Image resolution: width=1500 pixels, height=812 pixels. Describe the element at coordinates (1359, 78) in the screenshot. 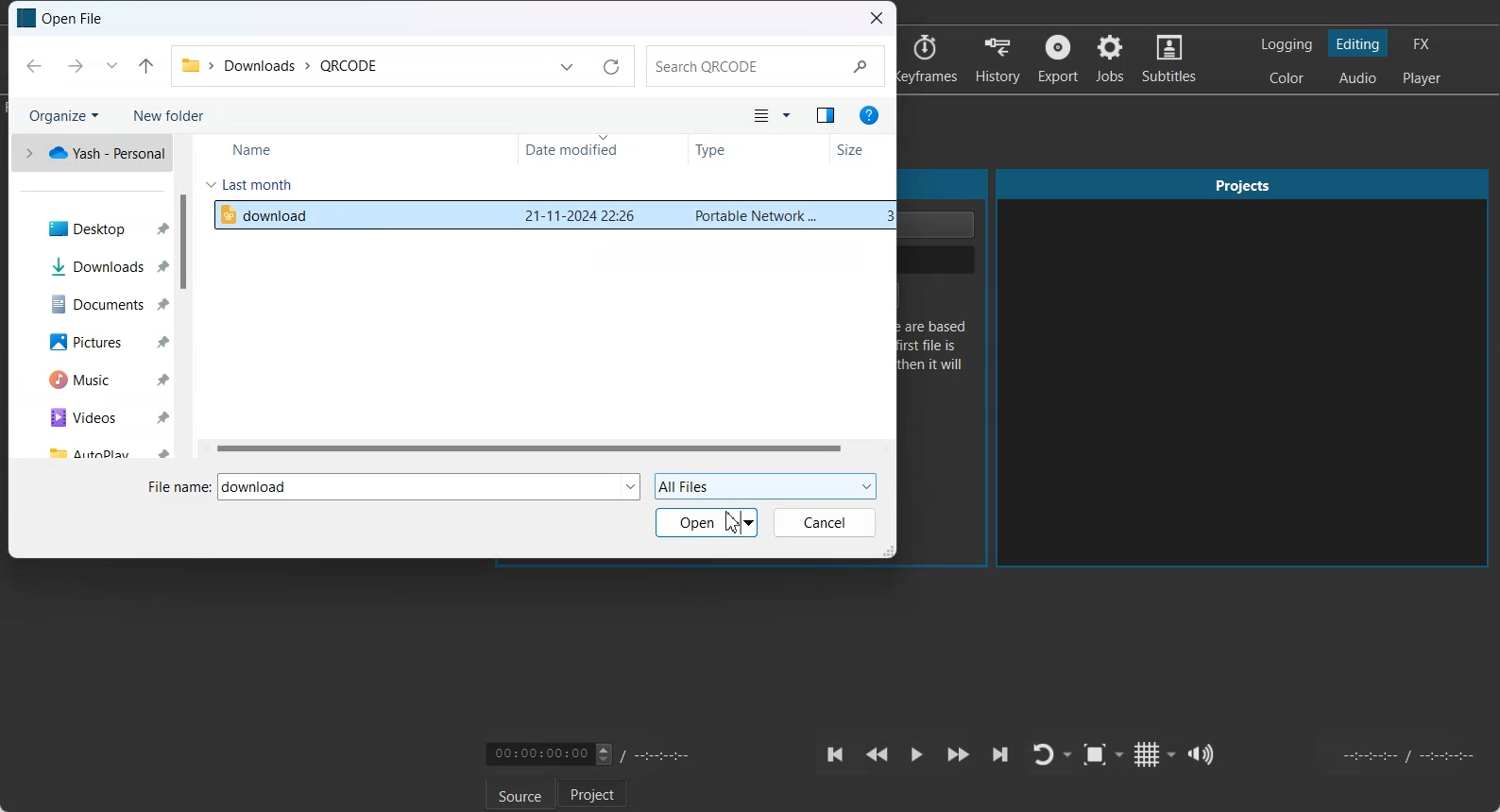

I see `Switching to the Audio layout` at that location.